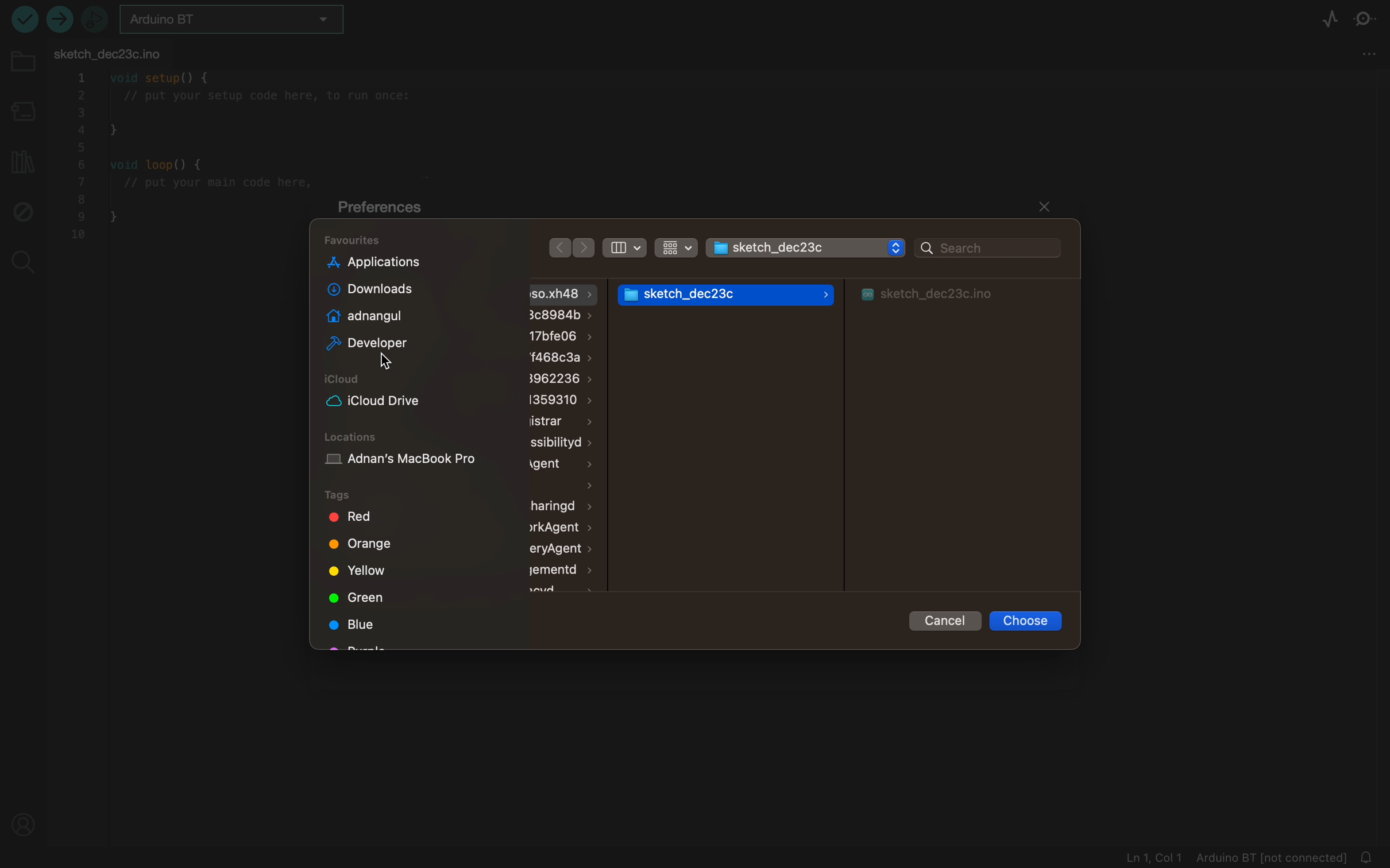 The width and height of the screenshot is (1390, 868). What do you see at coordinates (1323, 18) in the screenshot?
I see `serial plotter` at bounding box center [1323, 18].